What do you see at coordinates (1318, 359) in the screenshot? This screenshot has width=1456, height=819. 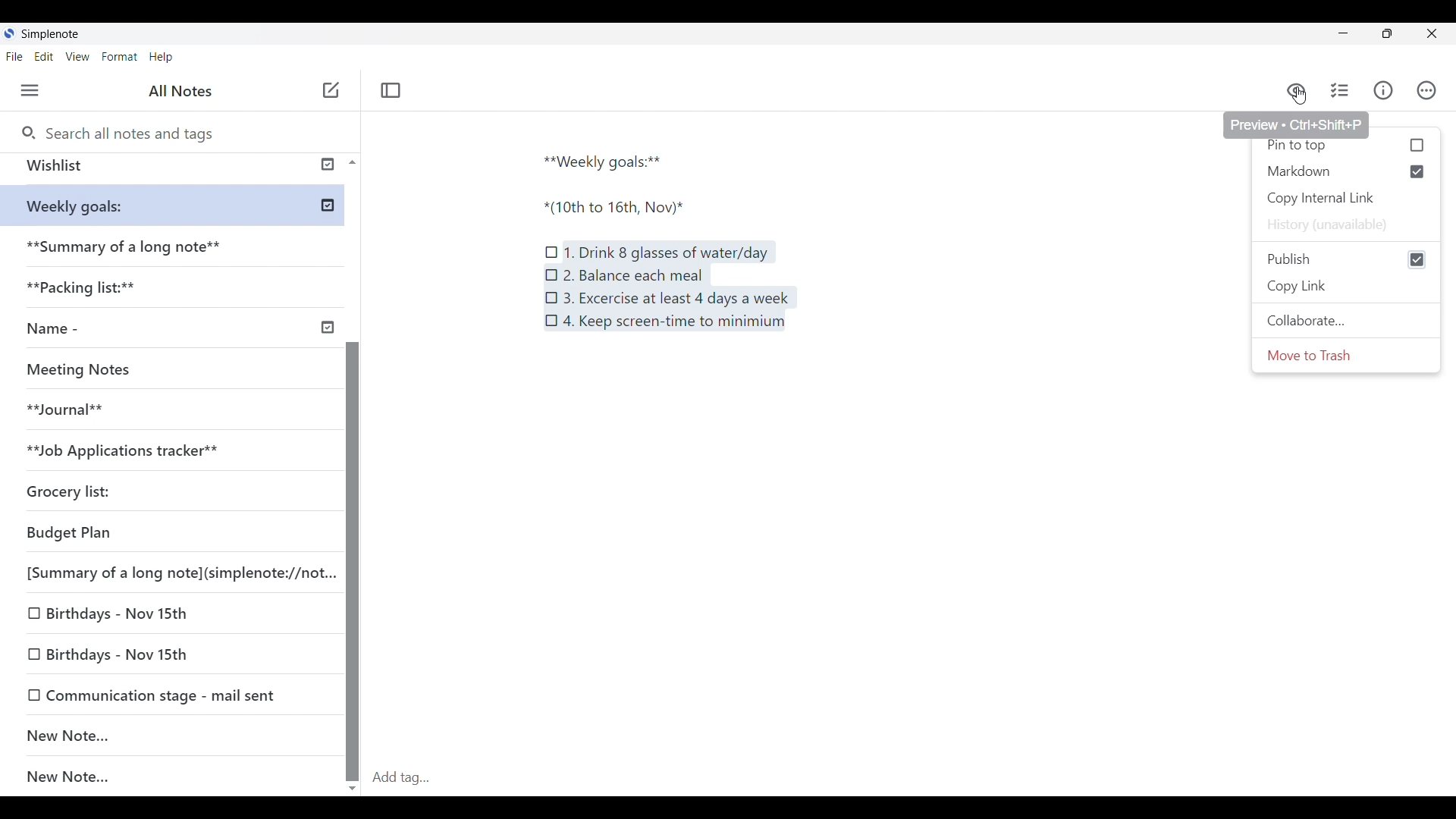 I see `Move to trash` at bounding box center [1318, 359].